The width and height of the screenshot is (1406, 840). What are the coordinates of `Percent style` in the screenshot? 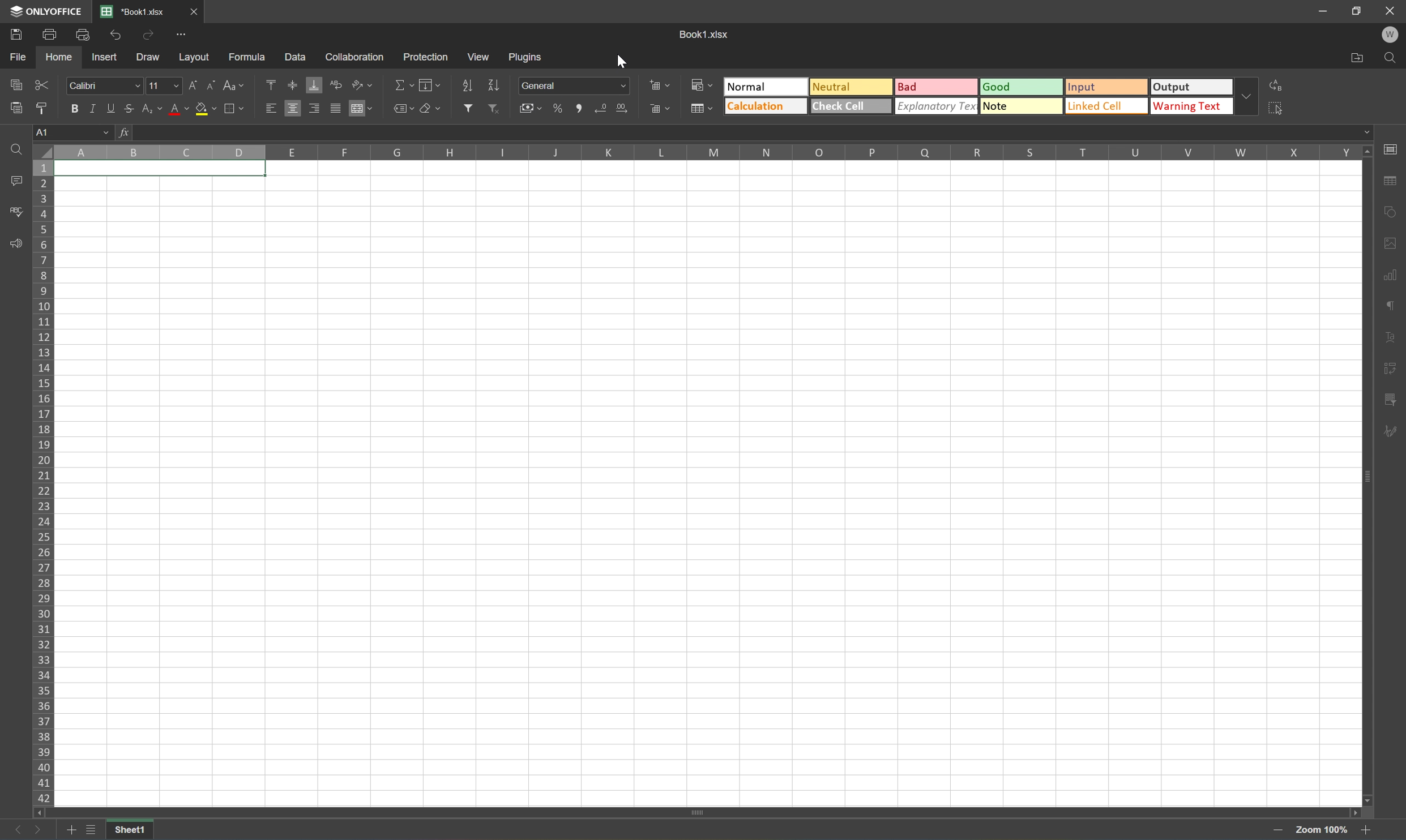 It's located at (559, 109).